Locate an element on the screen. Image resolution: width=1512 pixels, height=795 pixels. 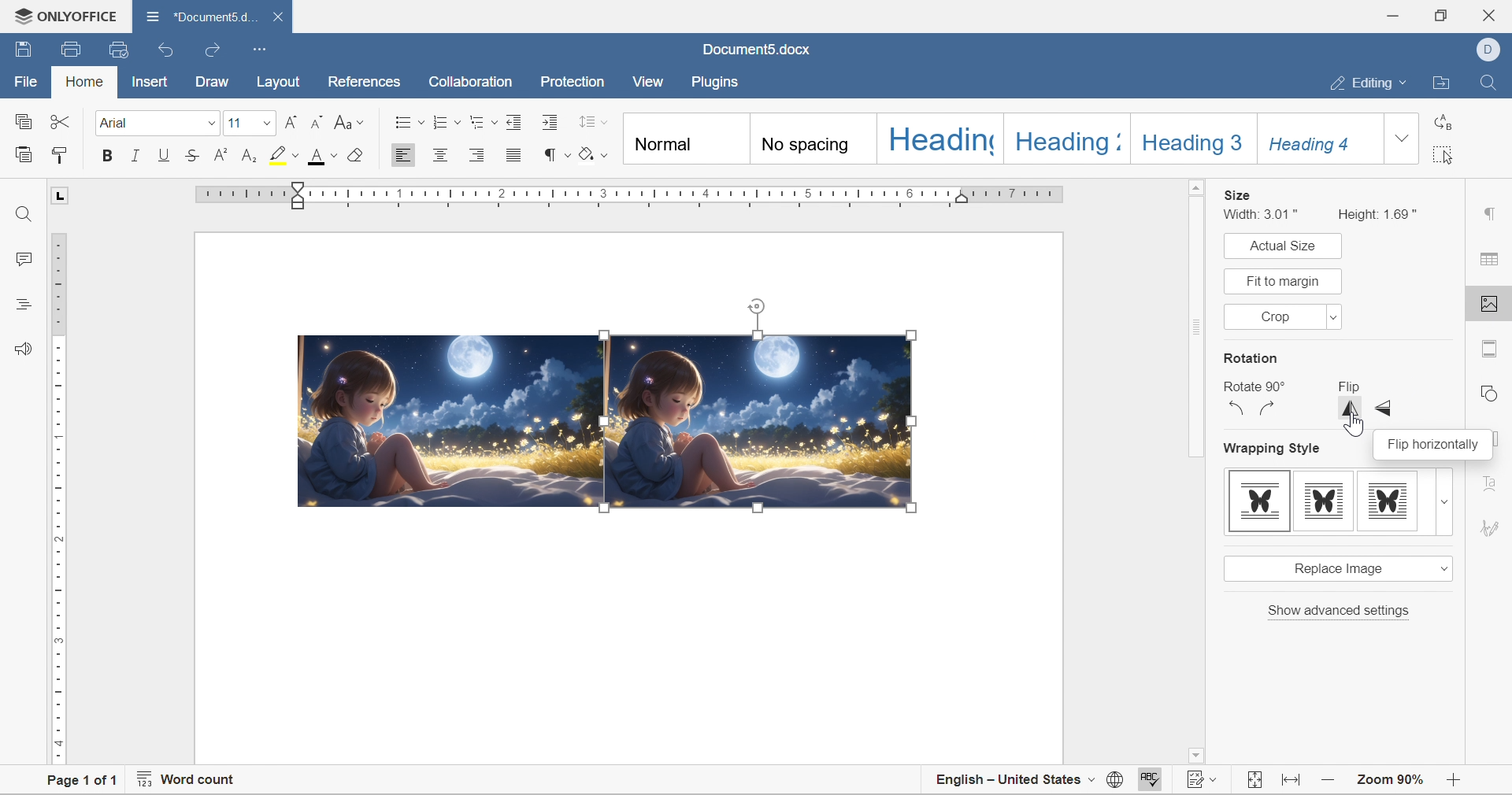
font size is located at coordinates (235, 122).